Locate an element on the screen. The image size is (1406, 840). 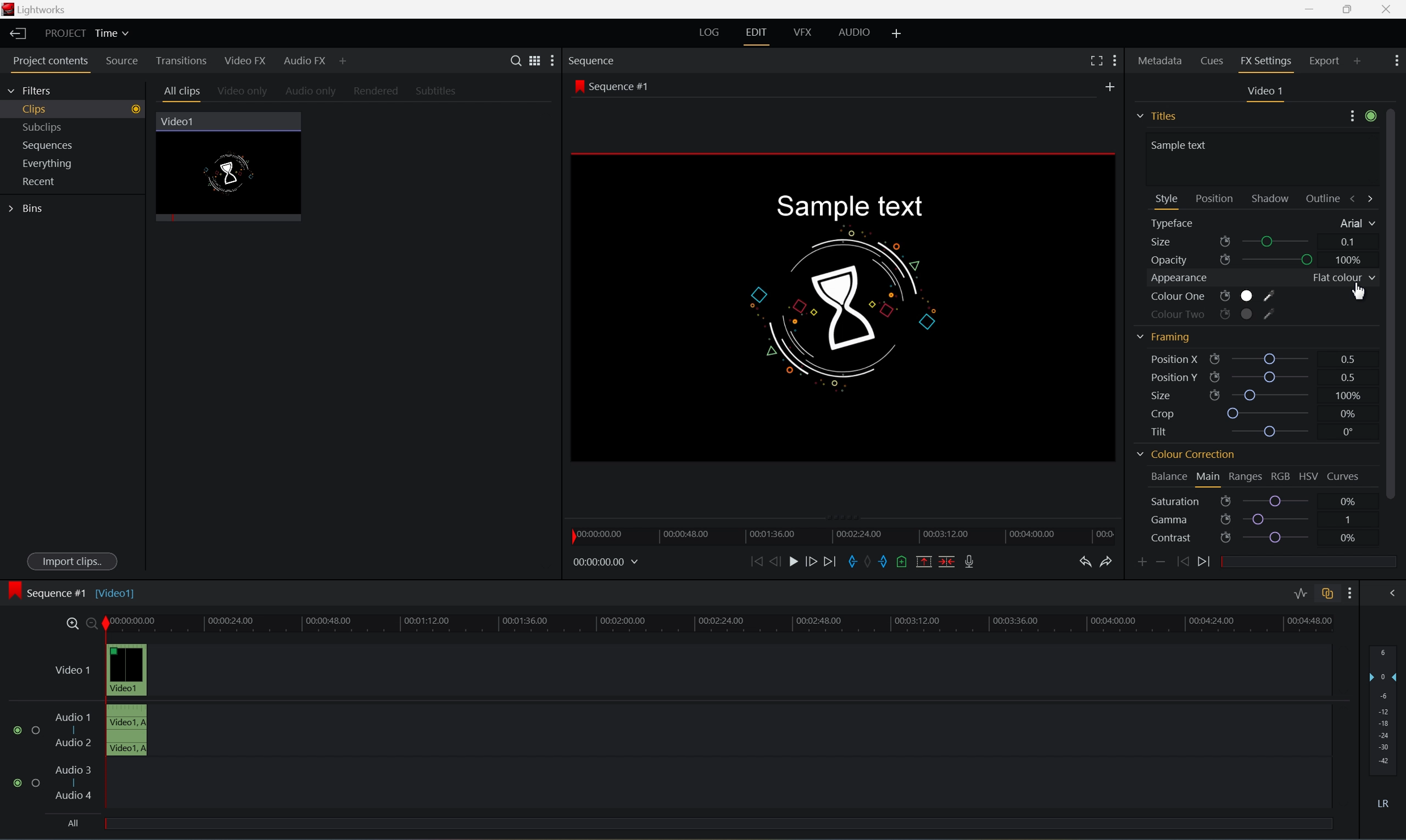
More is located at coordinates (344, 63).